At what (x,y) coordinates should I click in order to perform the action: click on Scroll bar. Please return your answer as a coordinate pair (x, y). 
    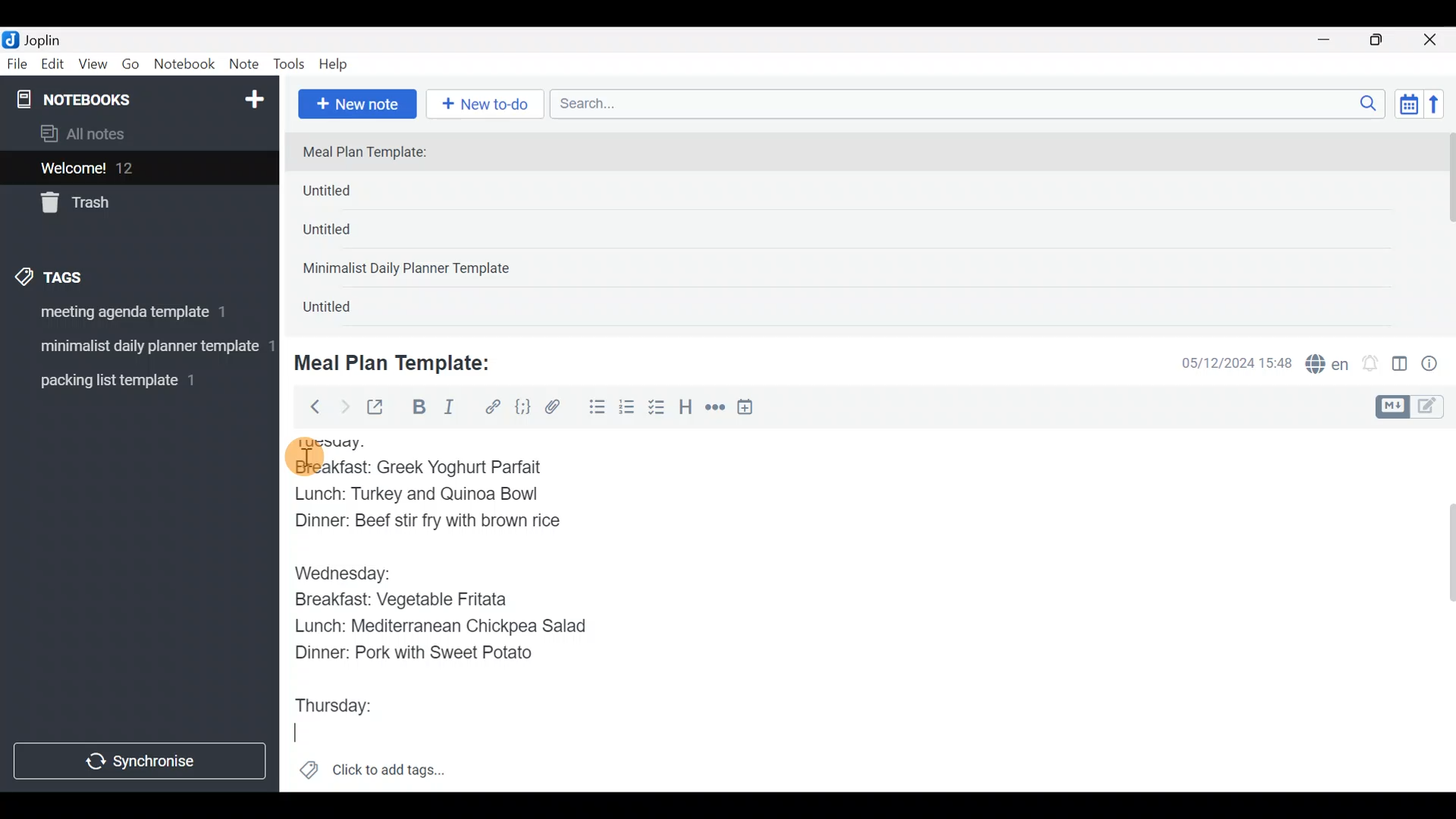
    Looking at the image, I should click on (1440, 610).